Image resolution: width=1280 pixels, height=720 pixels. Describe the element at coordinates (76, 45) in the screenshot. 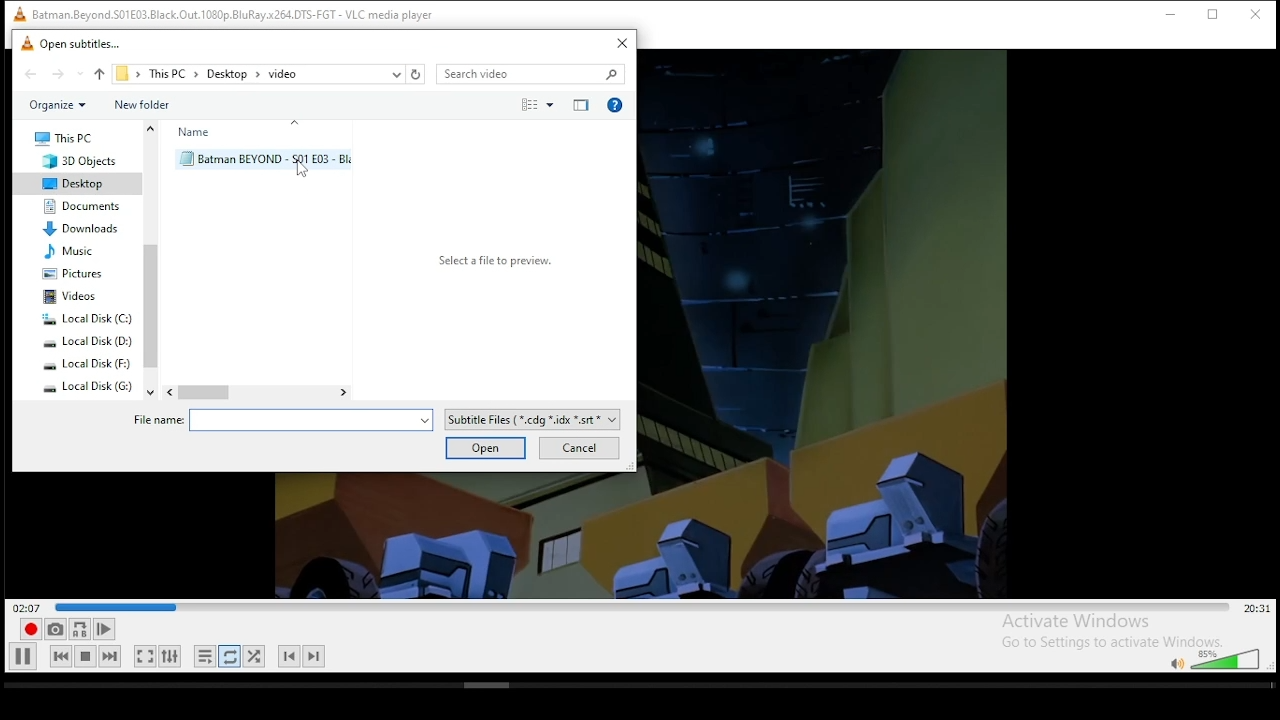

I see `open subtitle window` at that location.